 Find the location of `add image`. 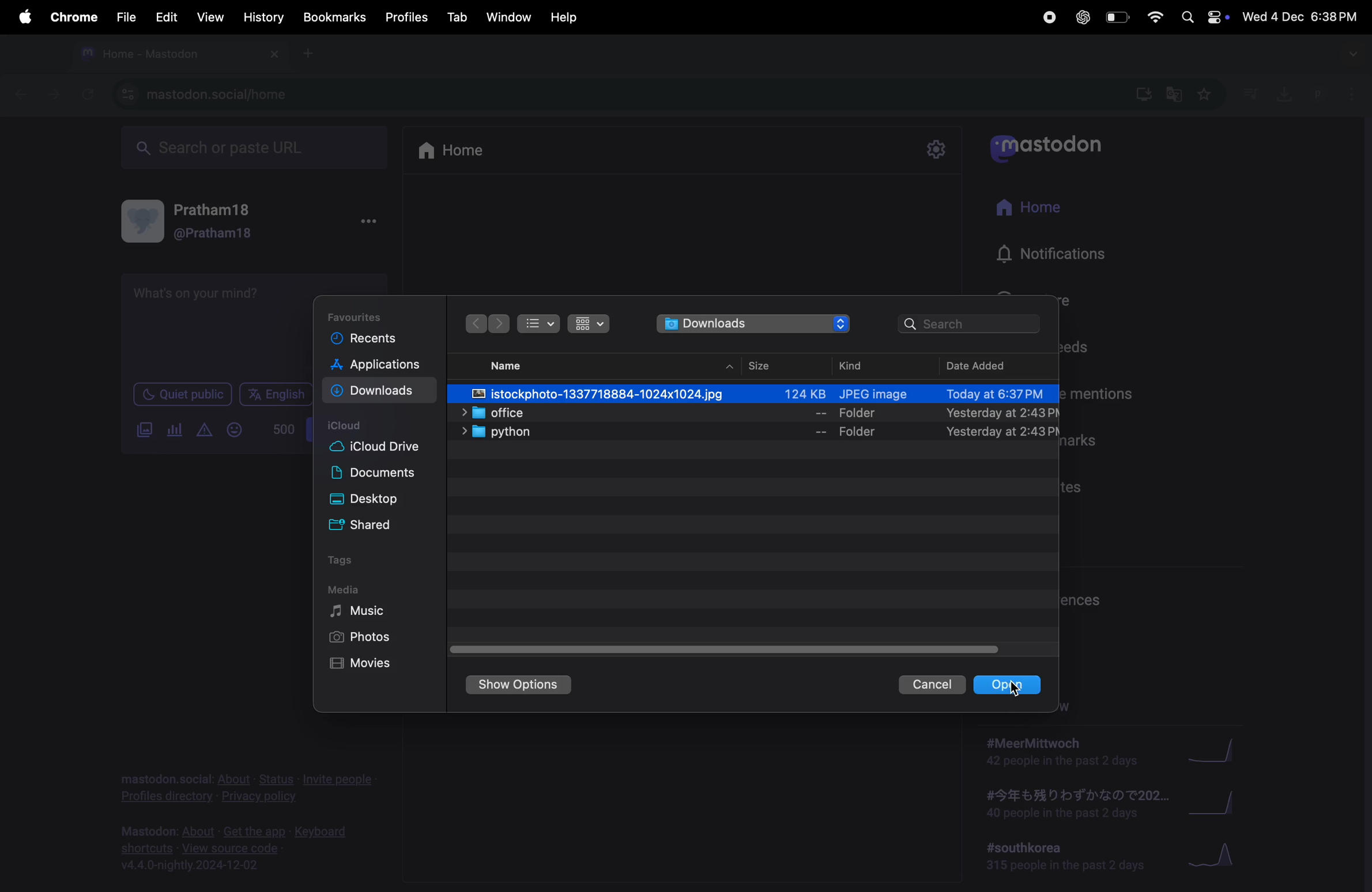

add image is located at coordinates (141, 433).